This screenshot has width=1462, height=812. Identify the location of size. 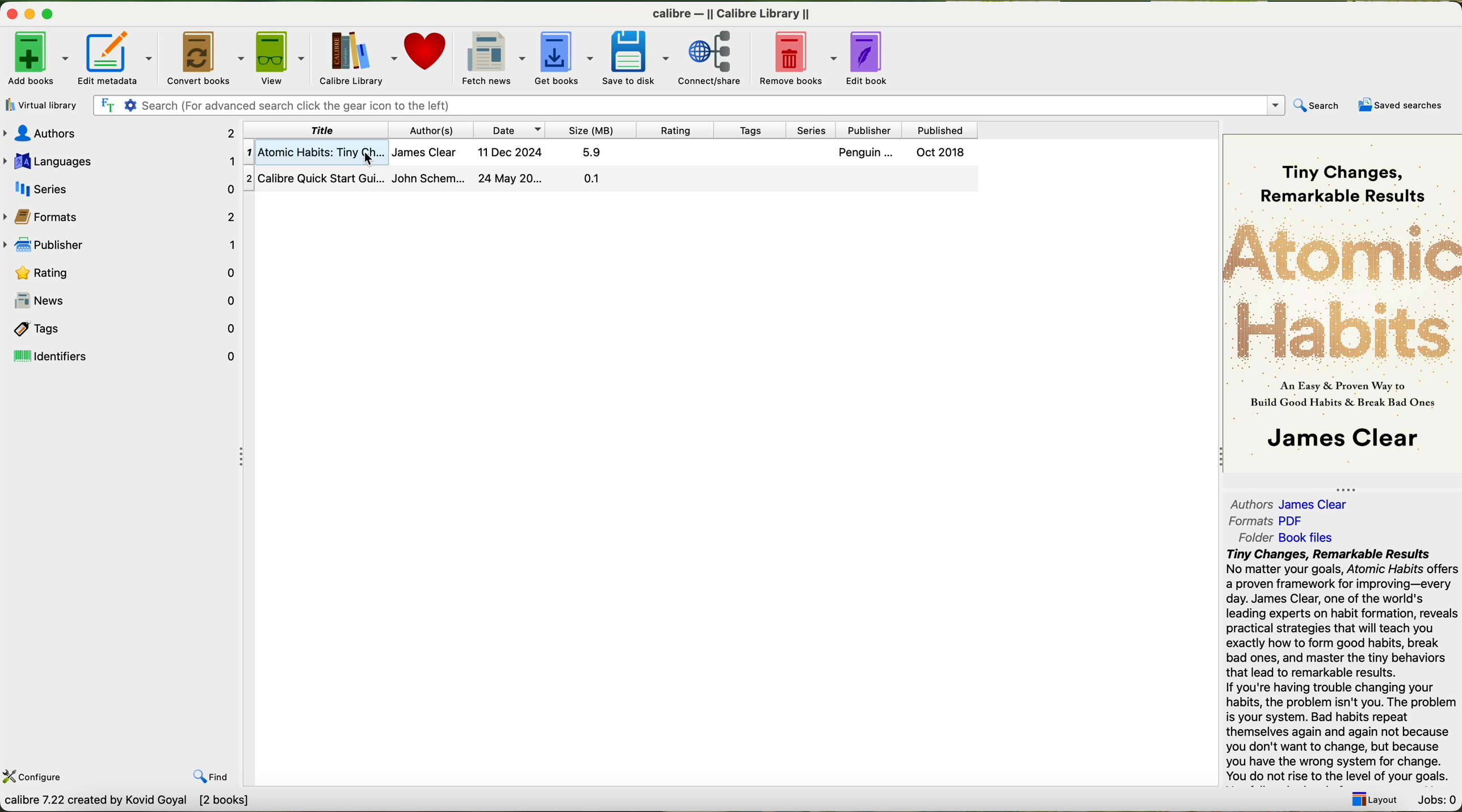
(592, 129).